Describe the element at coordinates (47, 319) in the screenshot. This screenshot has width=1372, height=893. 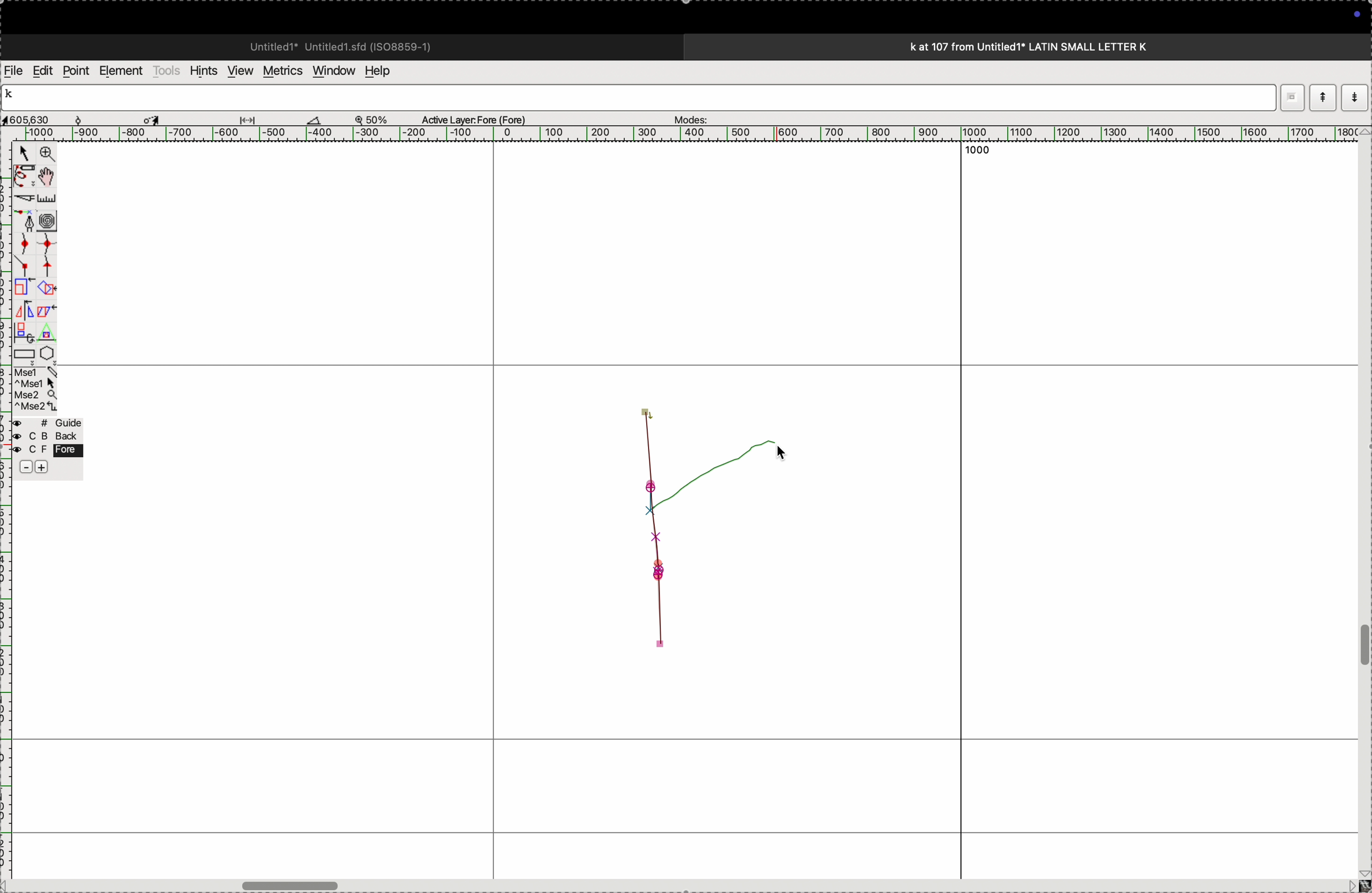
I see `apply` at that location.